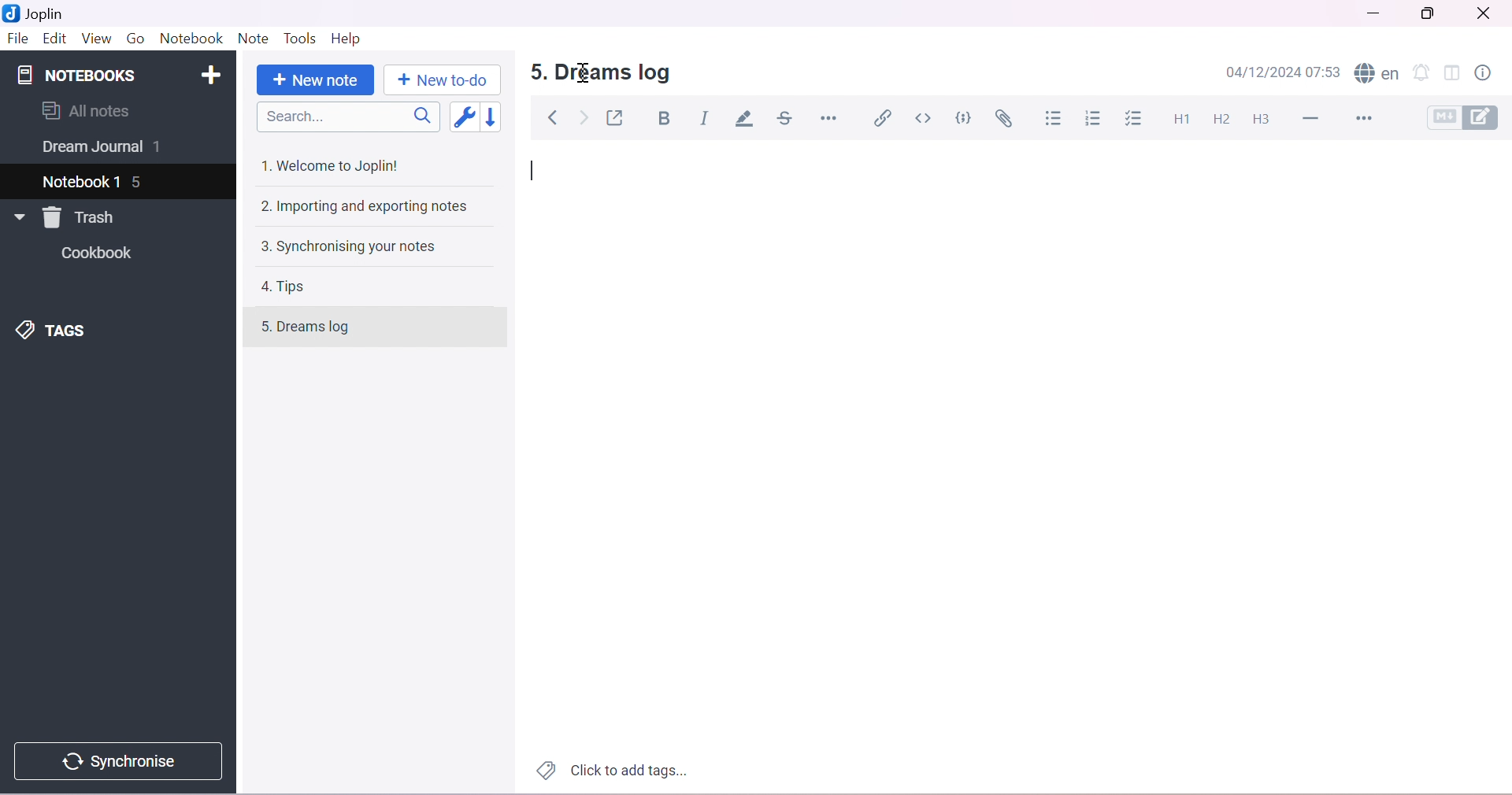  Describe the element at coordinates (141, 183) in the screenshot. I see `5` at that location.